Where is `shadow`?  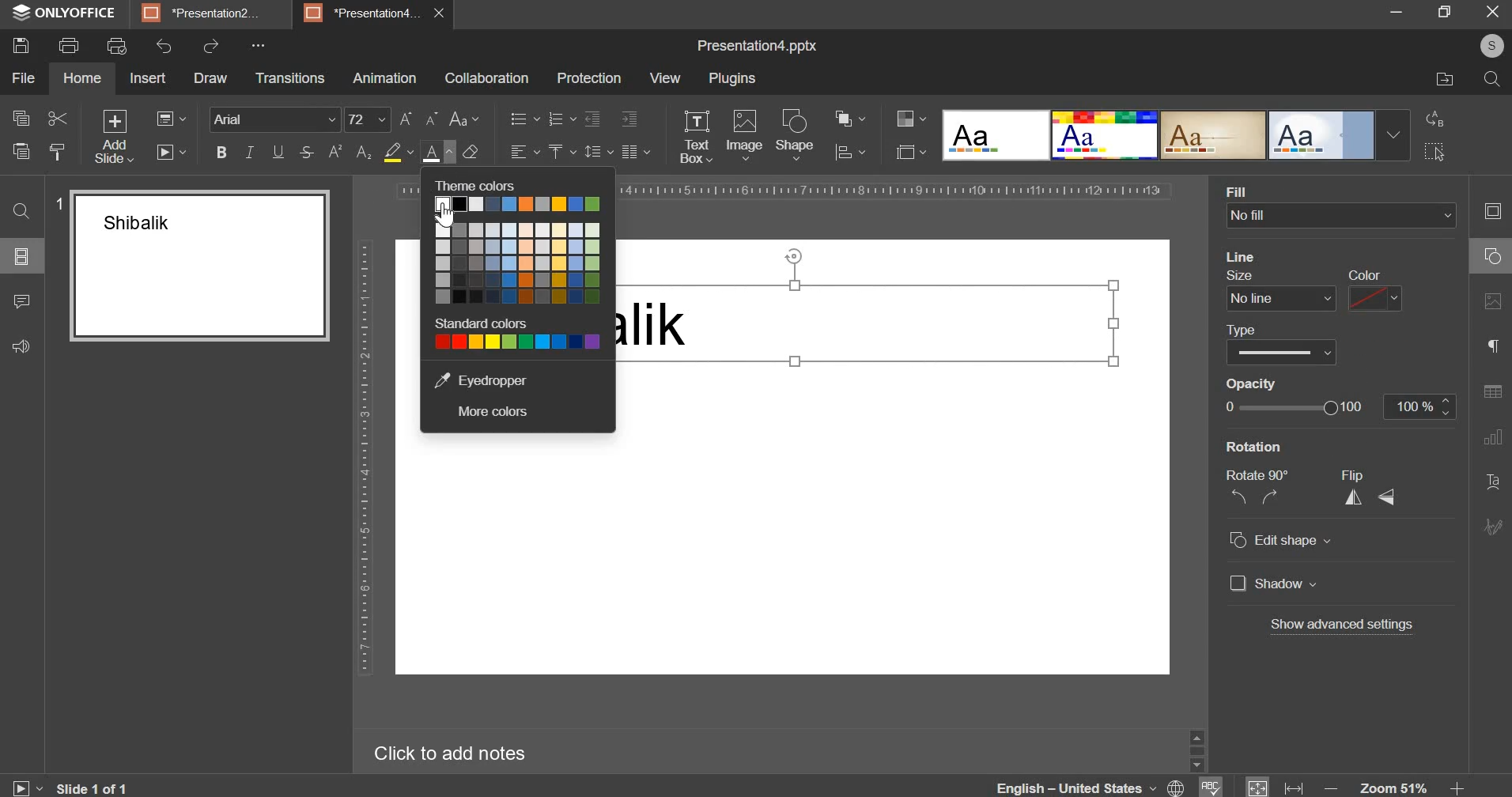 shadow is located at coordinates (1275, 585).